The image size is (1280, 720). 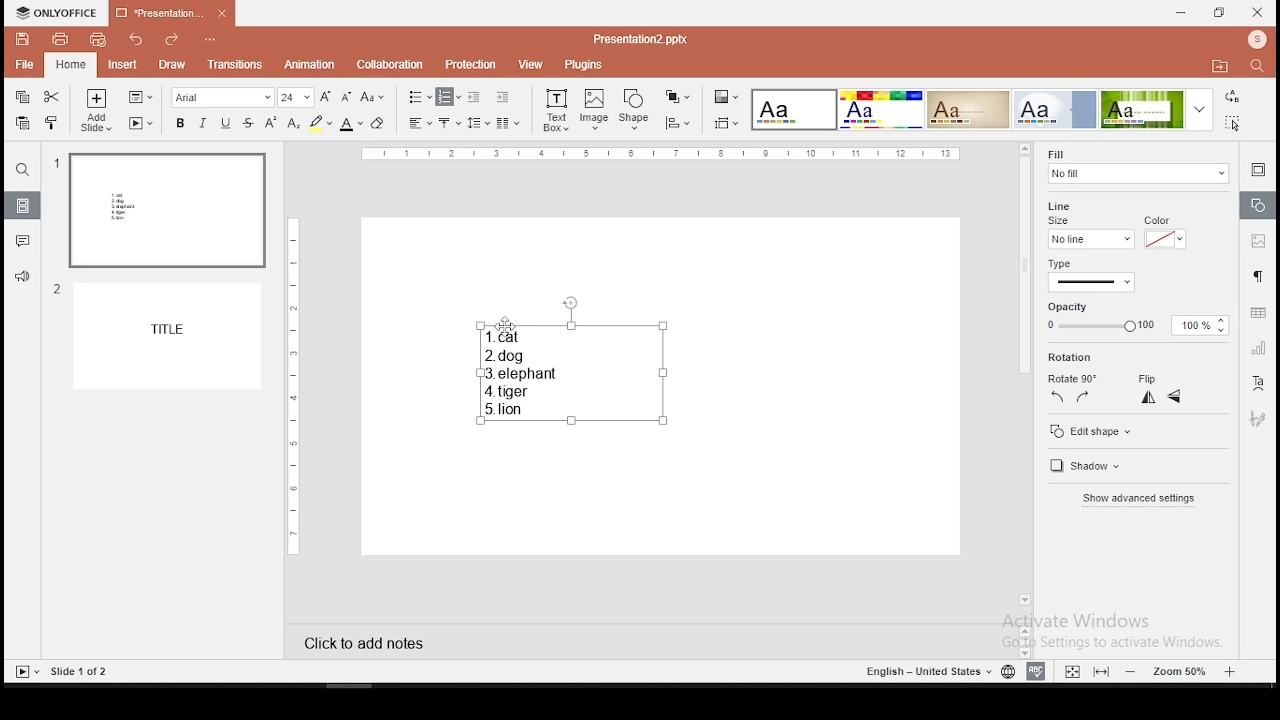 I want to click on flip vertical, so click(x=1147, y=398).